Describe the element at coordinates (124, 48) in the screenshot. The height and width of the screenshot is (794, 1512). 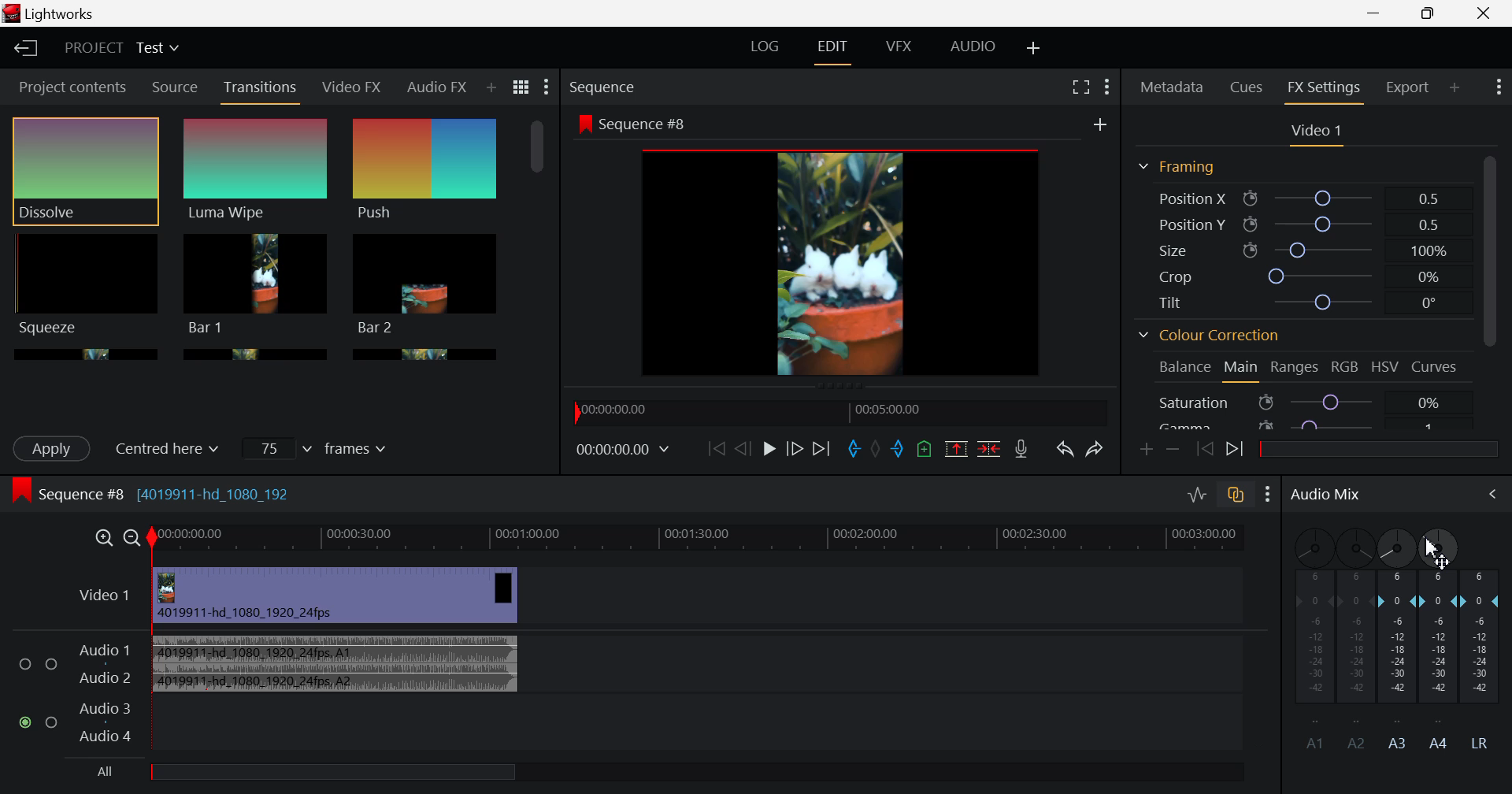
I see `Project Title` at that location.